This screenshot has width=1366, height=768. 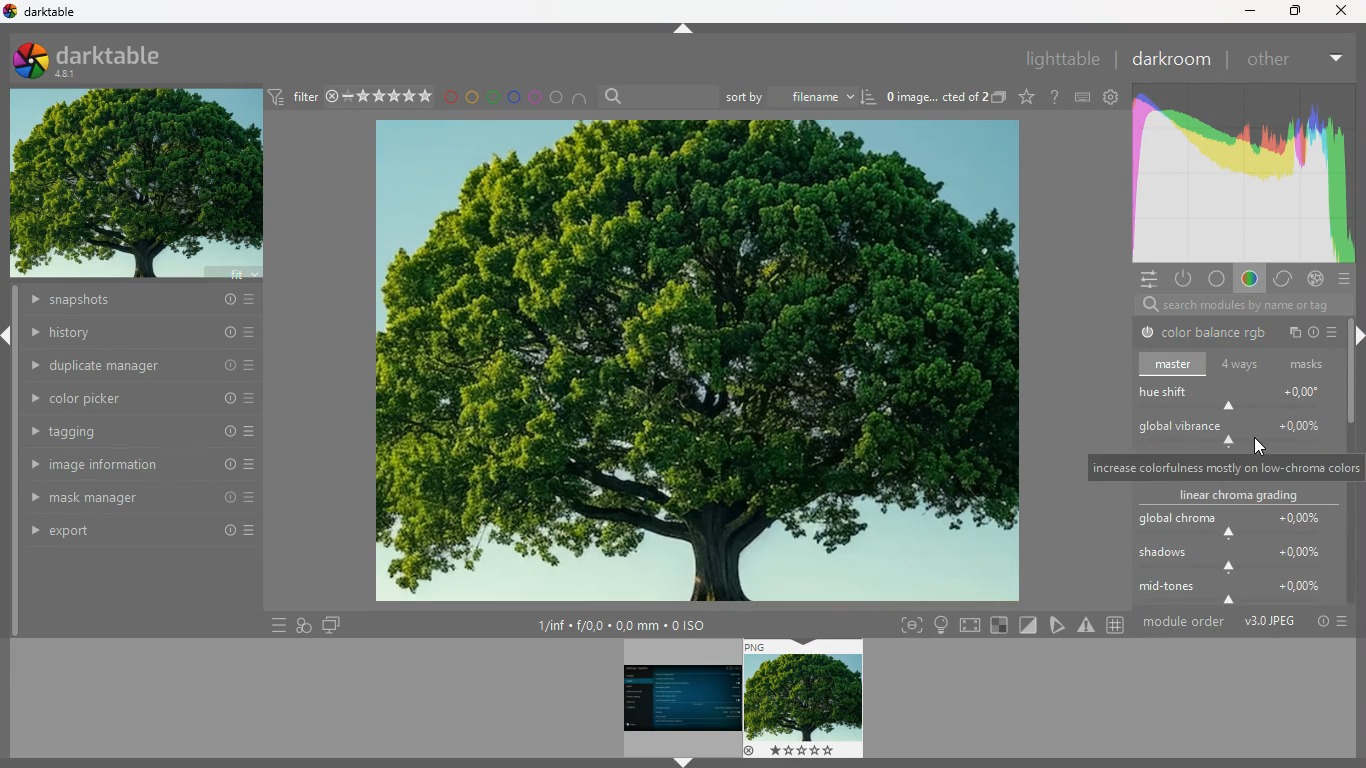 I want to click on lighttable, so click(x=1060, y=58).